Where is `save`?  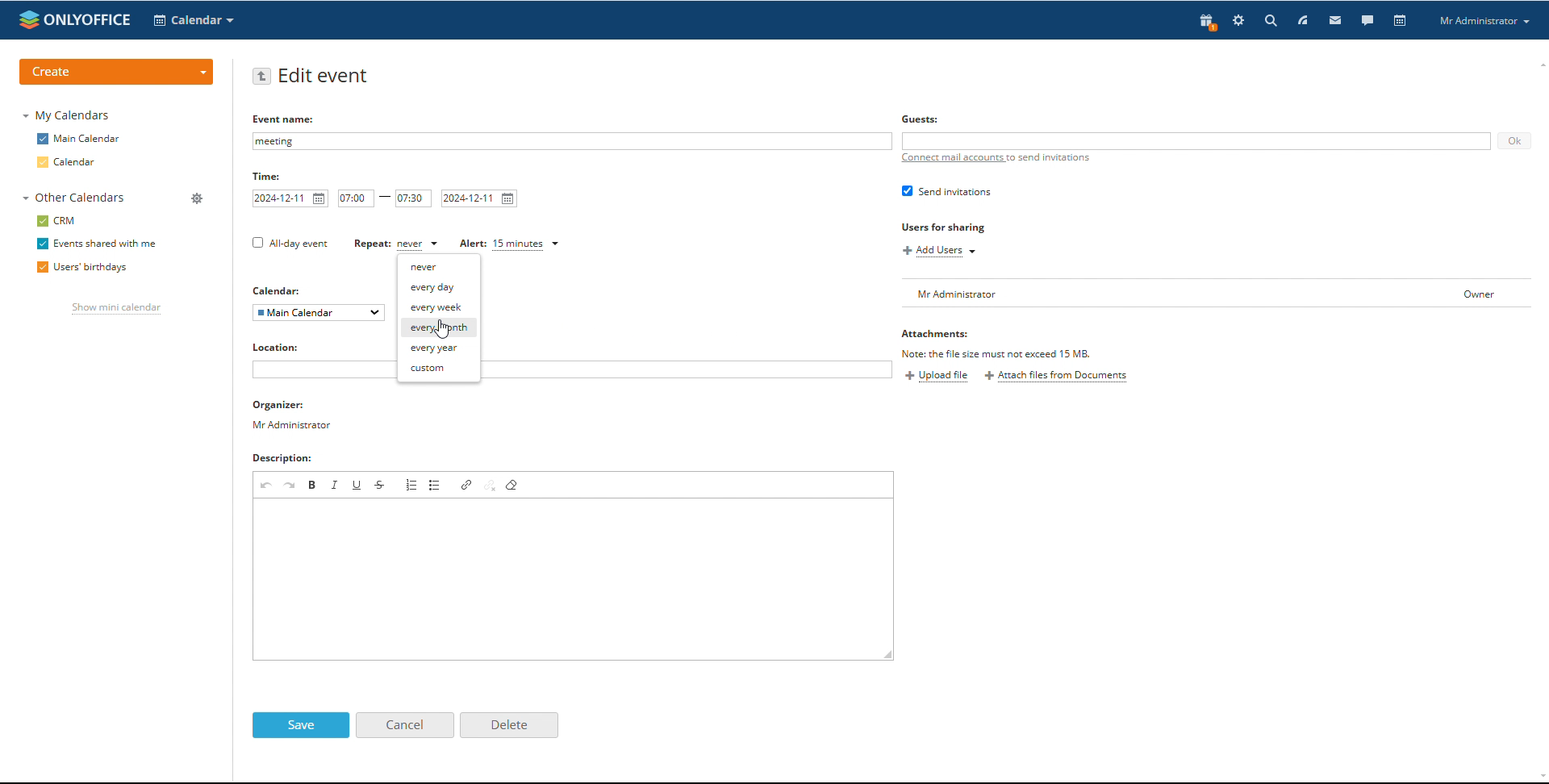
save is located at coordinates (301, 725).